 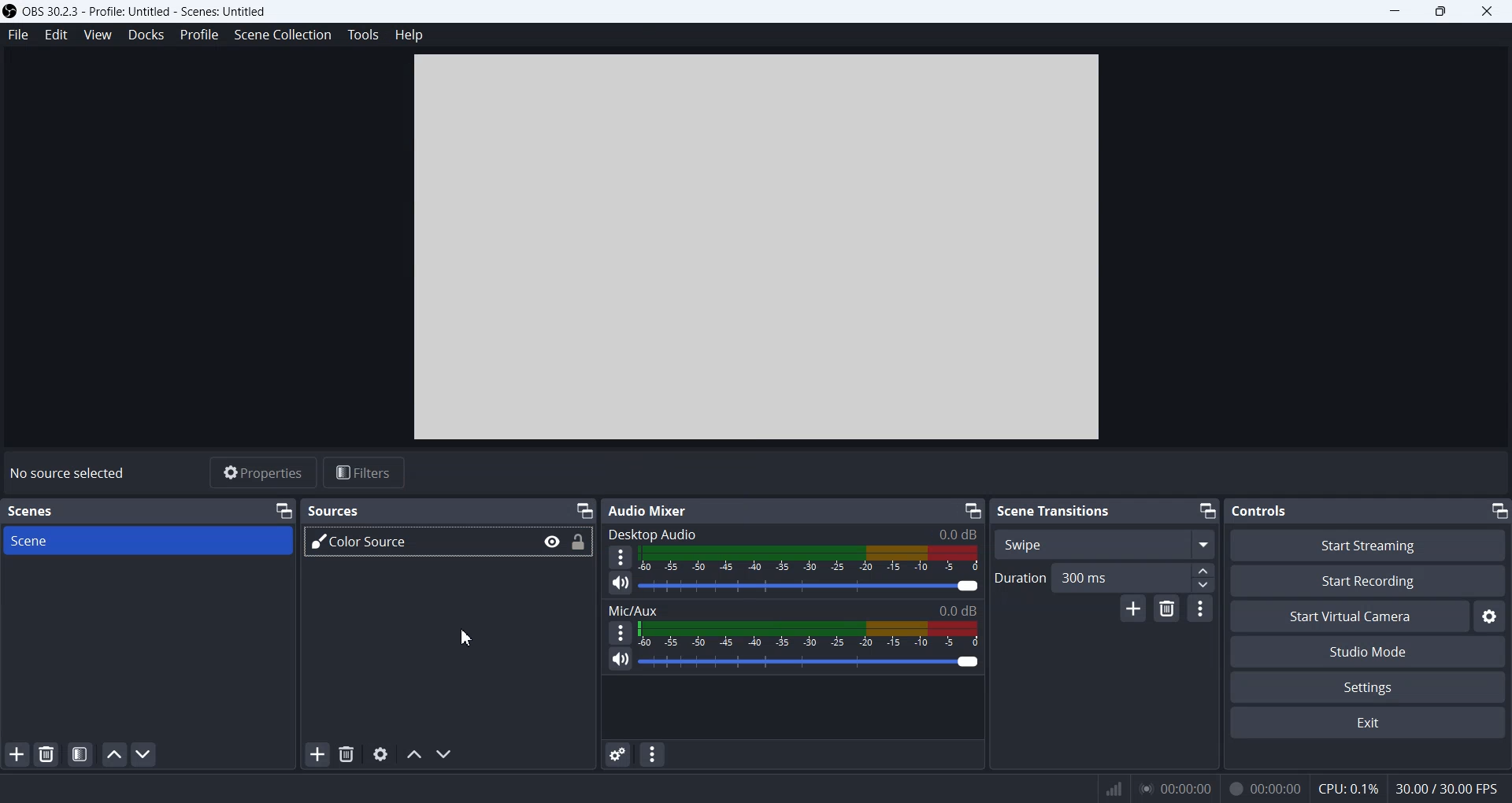 I want to click on Sound Adjuster, so click(x=811, y=586).